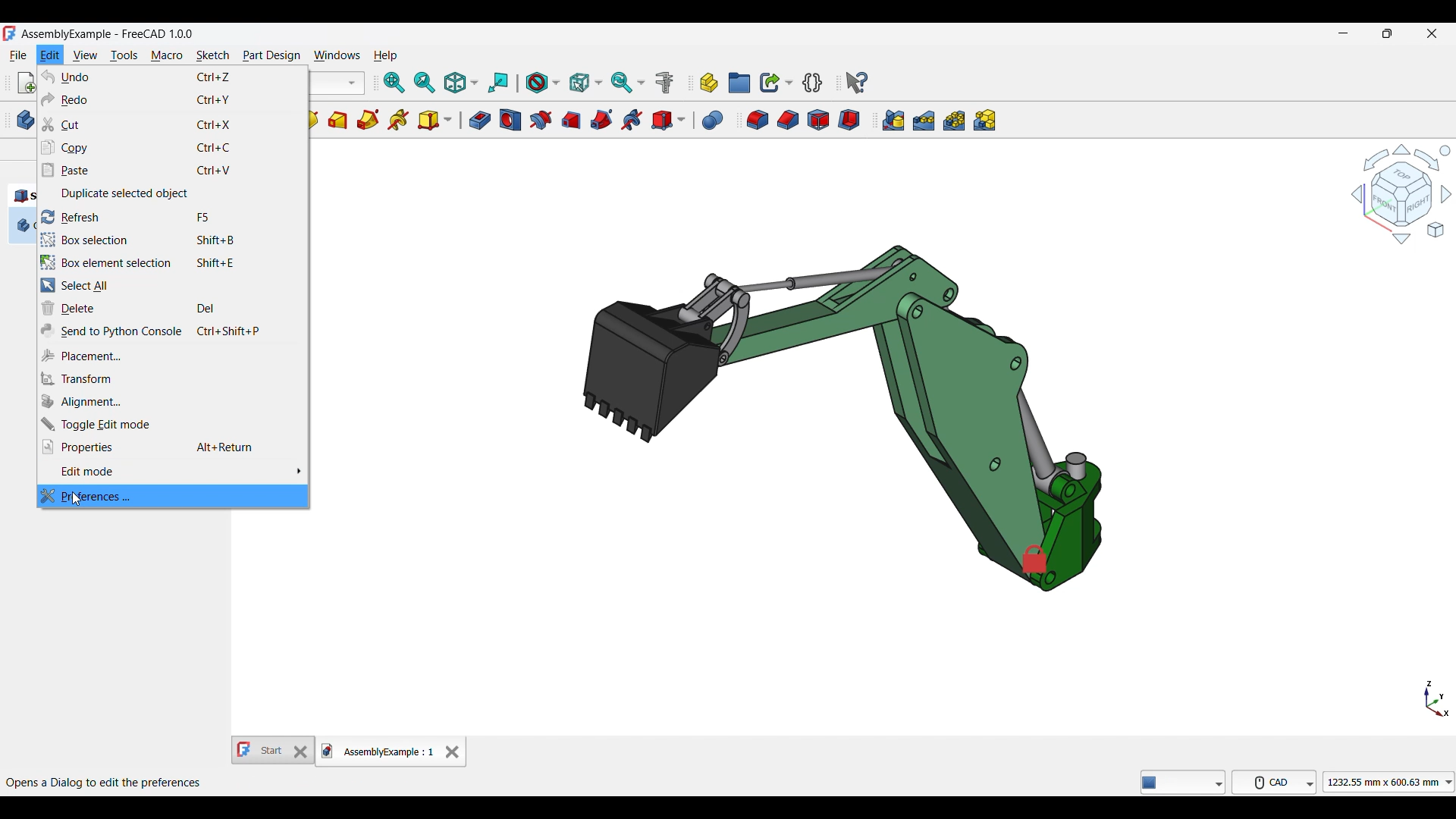 This screenshot has height=819, width=1456. What do you see at coordinates (664, 83) in the screenshot?
I see `Measure` at bounding box center [664, 83].